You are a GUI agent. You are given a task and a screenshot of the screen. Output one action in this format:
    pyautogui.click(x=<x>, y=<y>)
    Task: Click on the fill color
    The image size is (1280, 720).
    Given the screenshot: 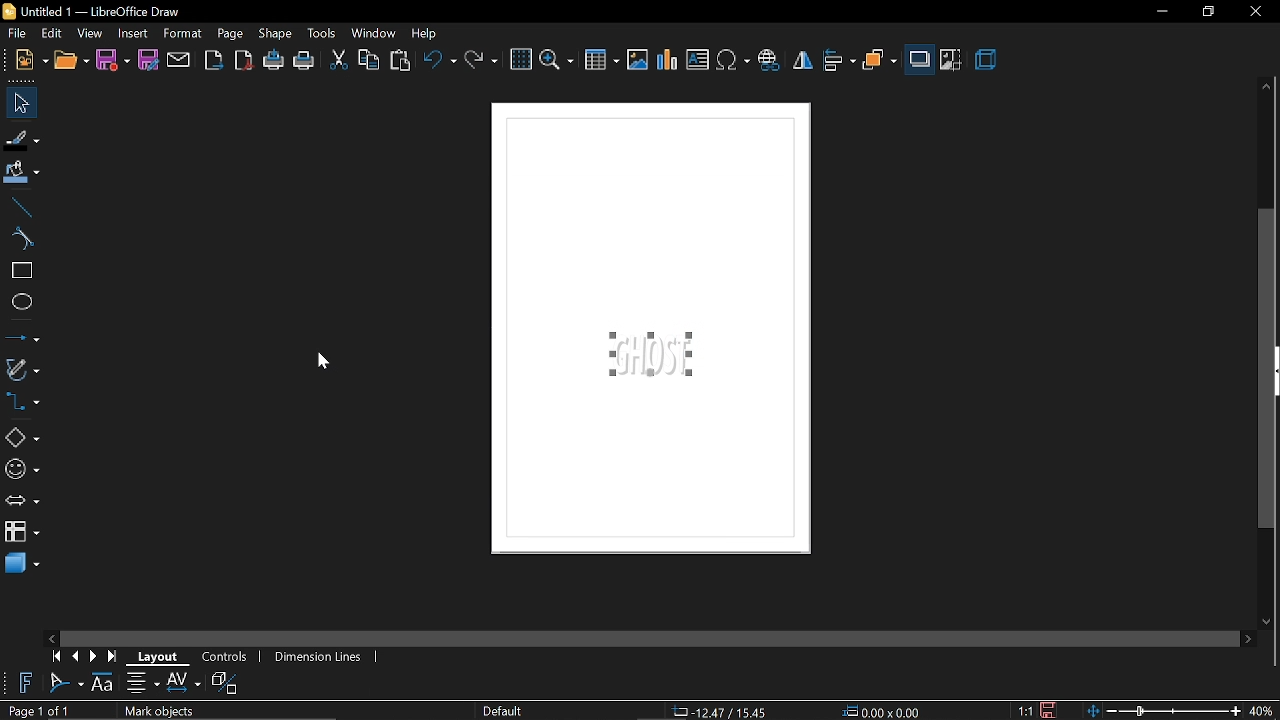 What is the action you would take?
    pyautogui.click(x=21, y=172)
    